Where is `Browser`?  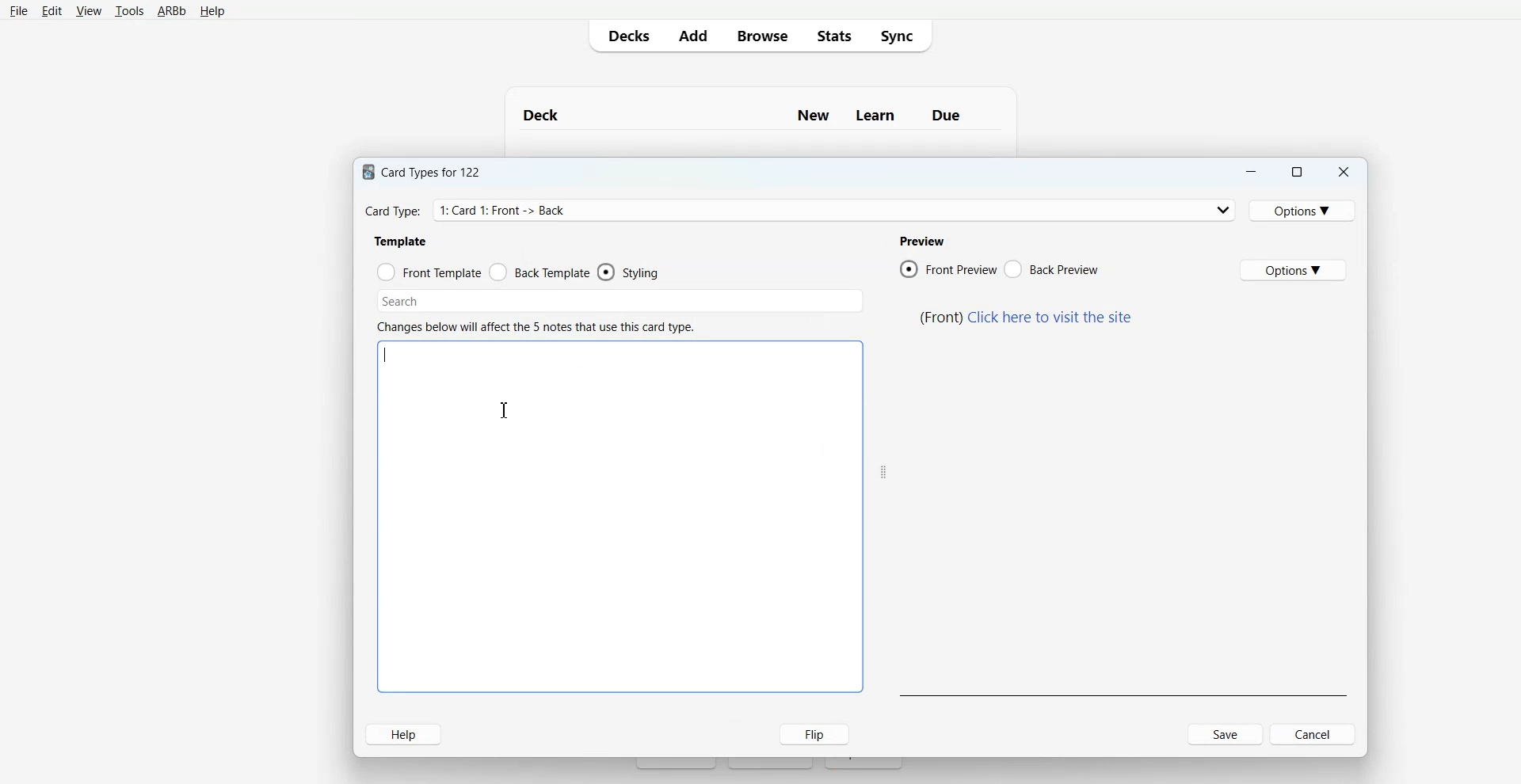 Browser is located at coordinates (760, 35).